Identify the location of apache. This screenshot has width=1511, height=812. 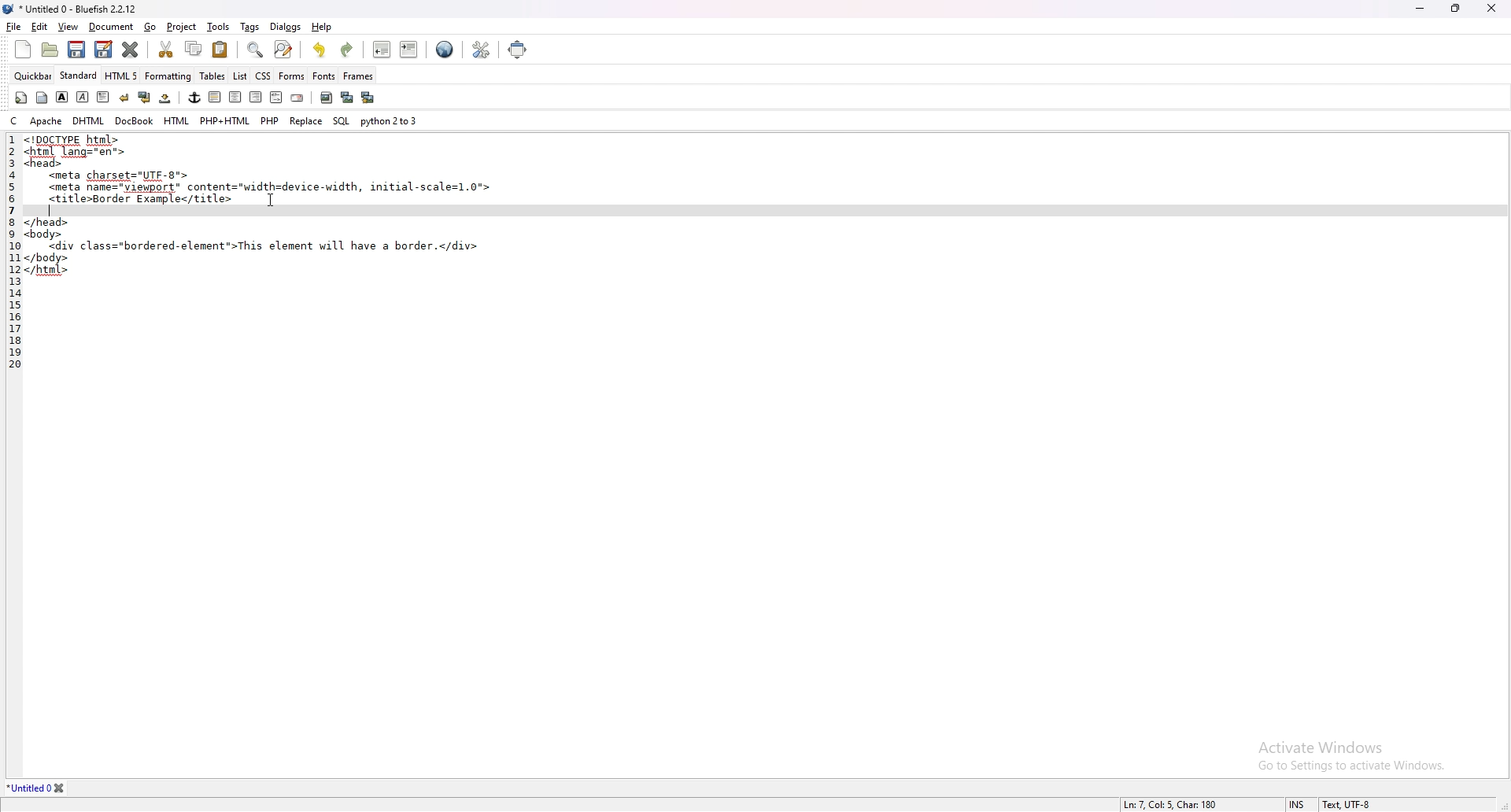
(46, 120).